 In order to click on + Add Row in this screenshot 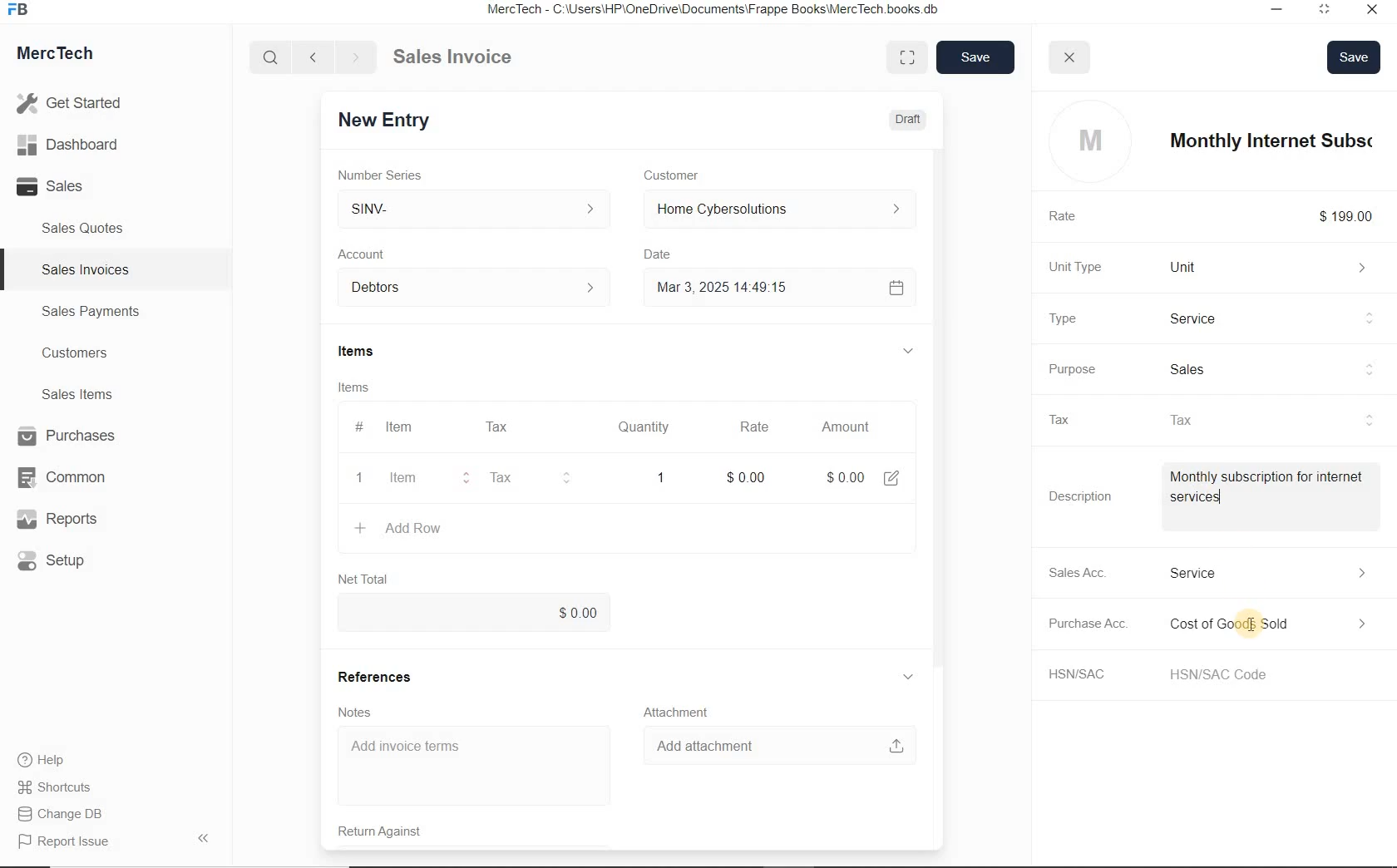, I will do `click(417, 529)`.